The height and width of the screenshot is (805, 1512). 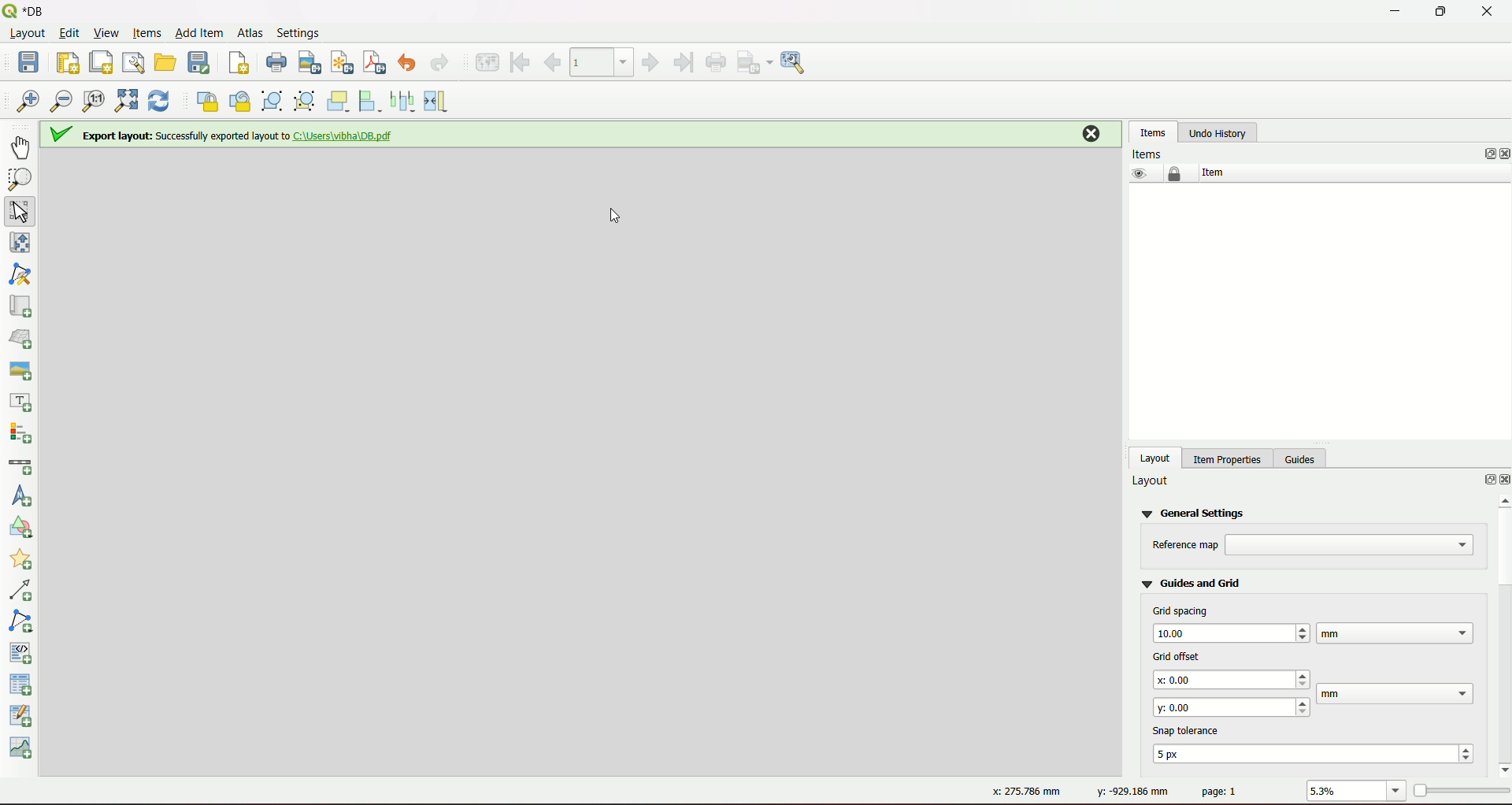 I want to click on add items from template, so click(x=166, y=62).